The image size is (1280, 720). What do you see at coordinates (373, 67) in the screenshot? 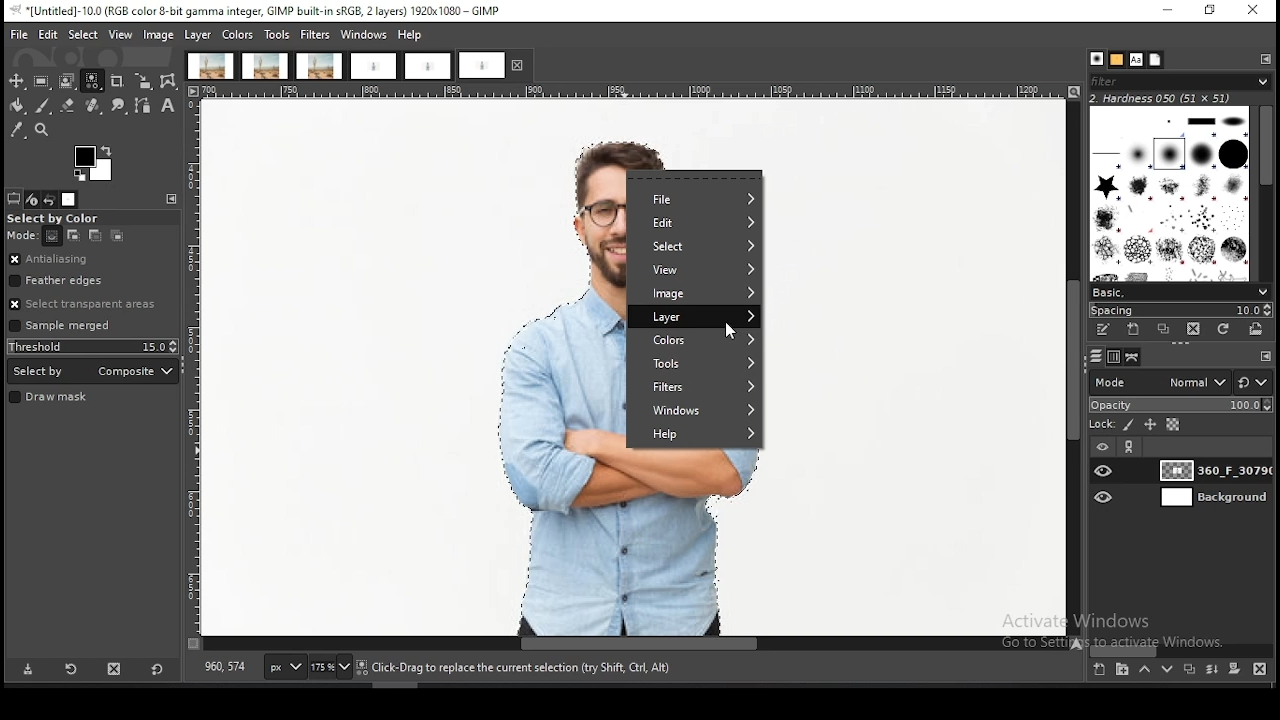
I see `project tab` at bounding box center [373, 67].